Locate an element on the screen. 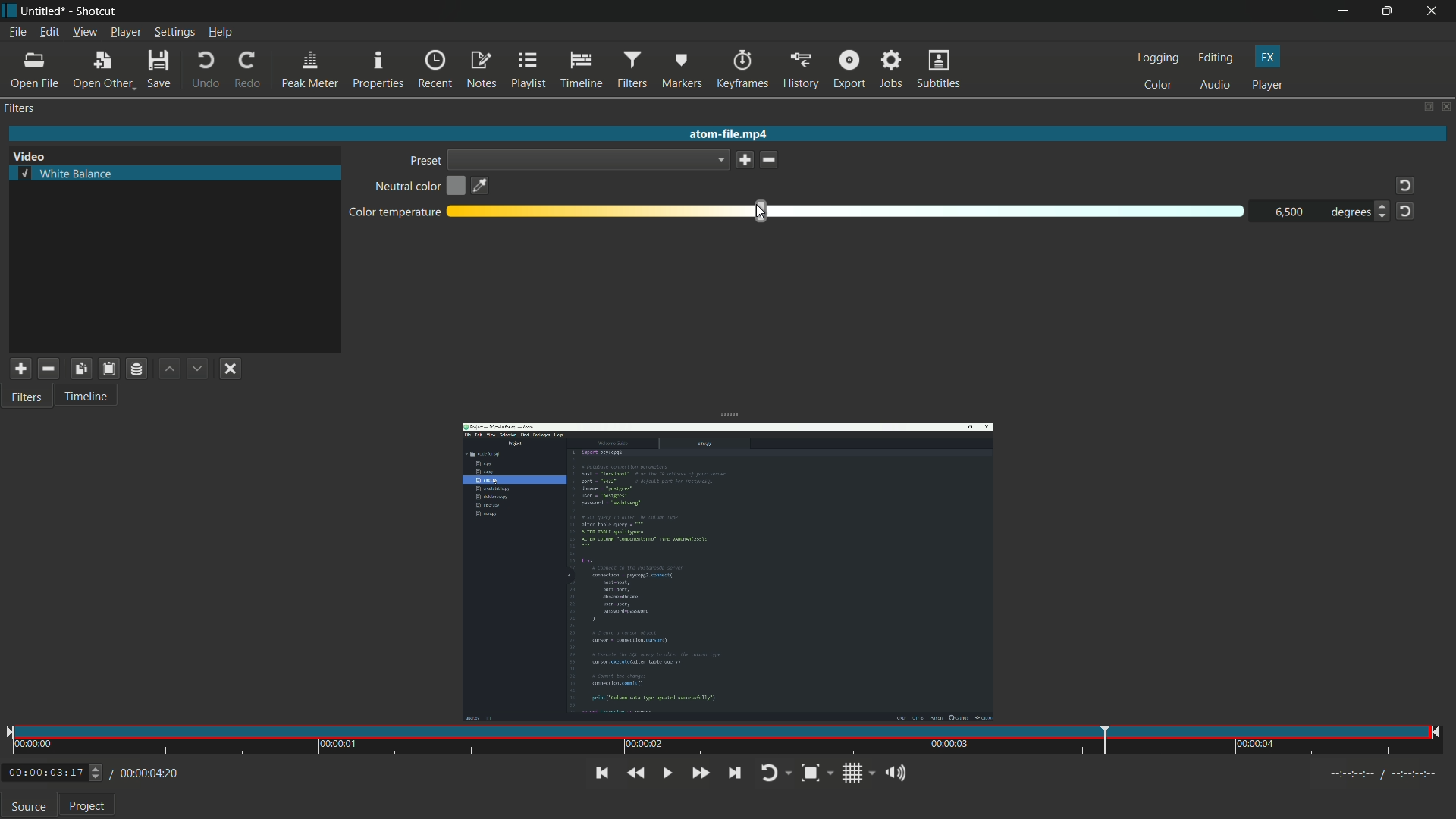 Image resolution: width=1456 pixels, height=819 pixels. edit menu is located at coordinates (49, 31).